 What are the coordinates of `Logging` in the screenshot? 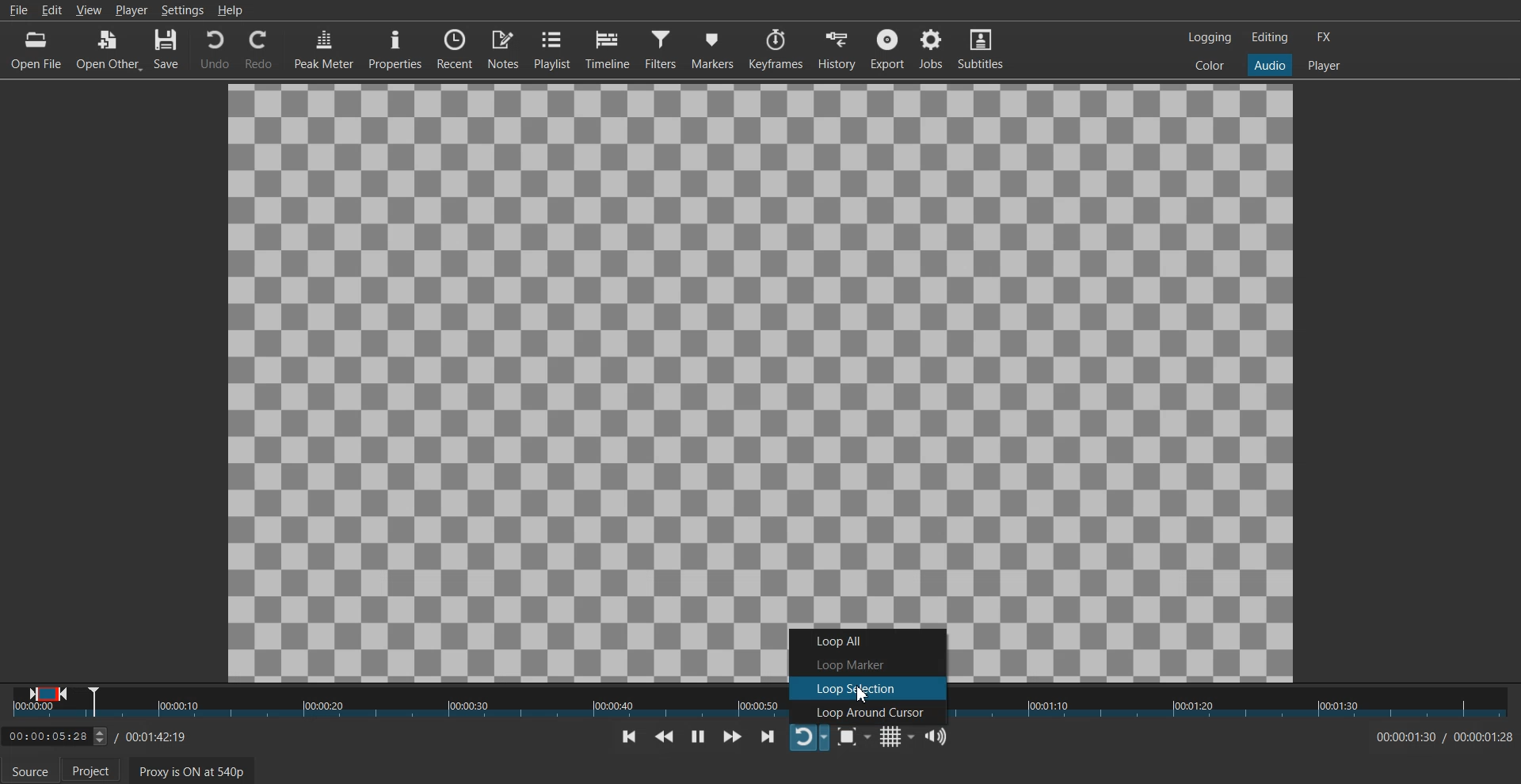 It's located at (1209, 36).